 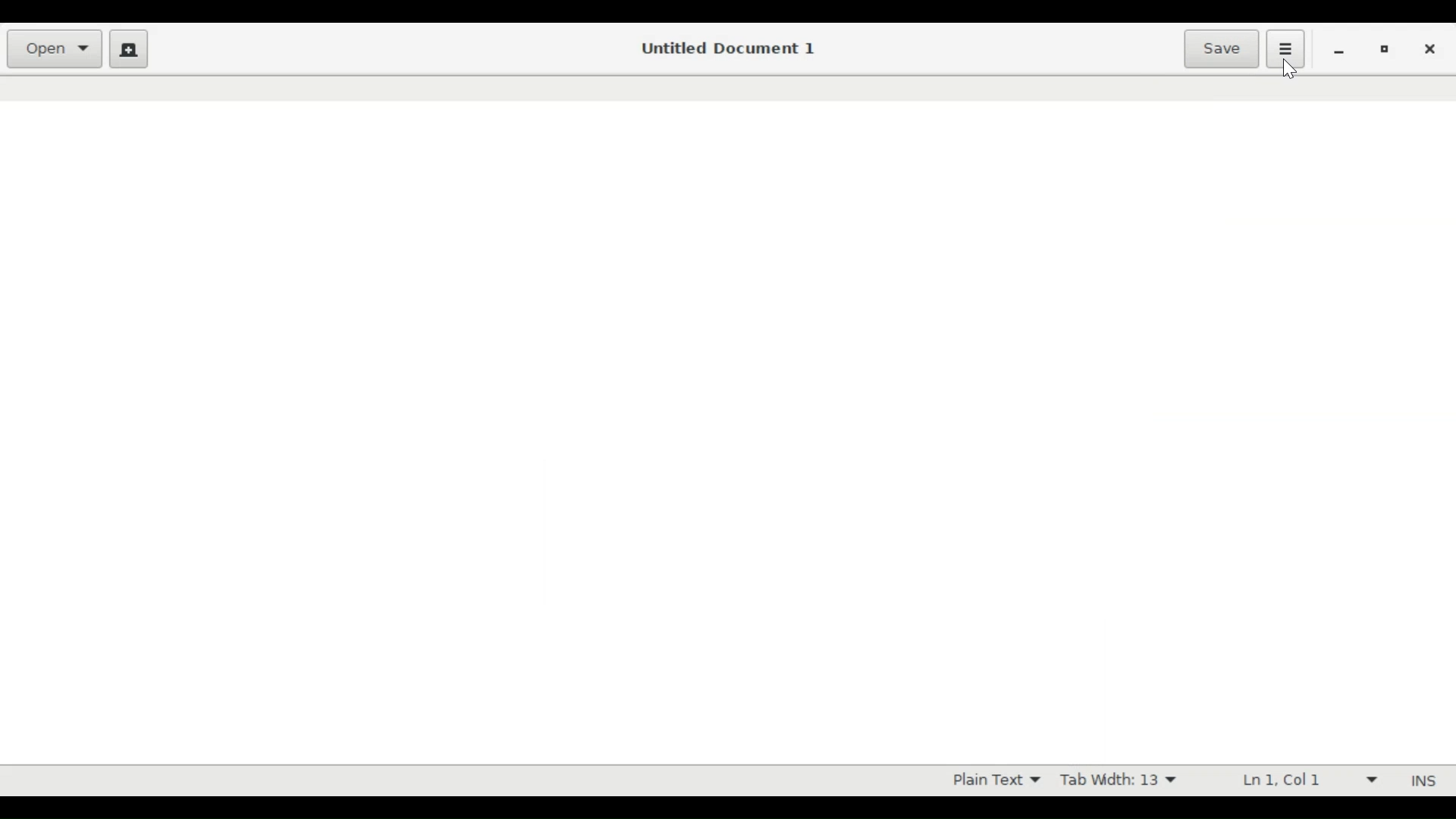 What do you see at coordinates (1221, 49) in the screenshot?
I see `Save` at bounding box center [1221, 49].